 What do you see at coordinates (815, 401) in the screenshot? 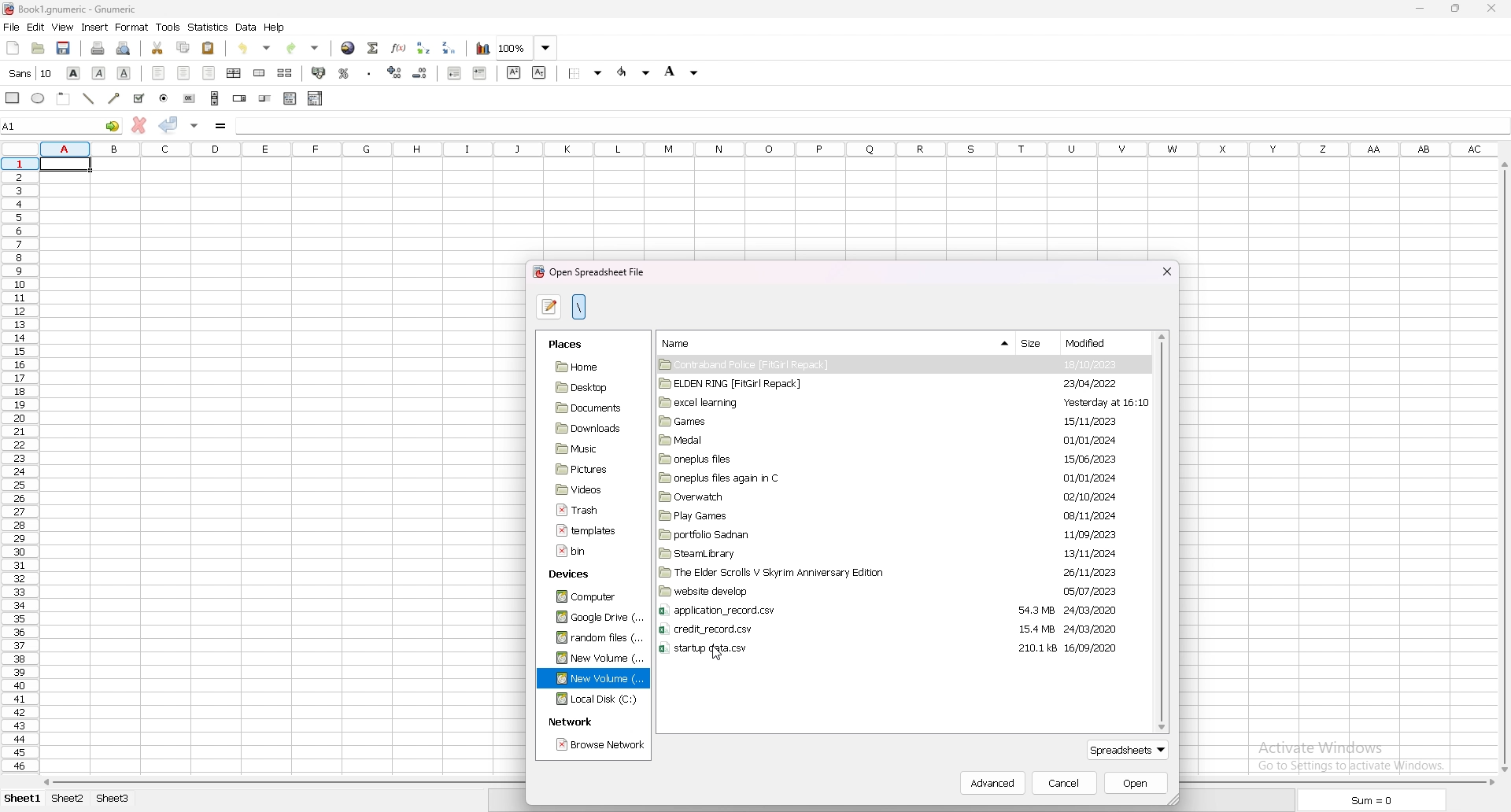
I see `folder` at bounding box center [815, 401].